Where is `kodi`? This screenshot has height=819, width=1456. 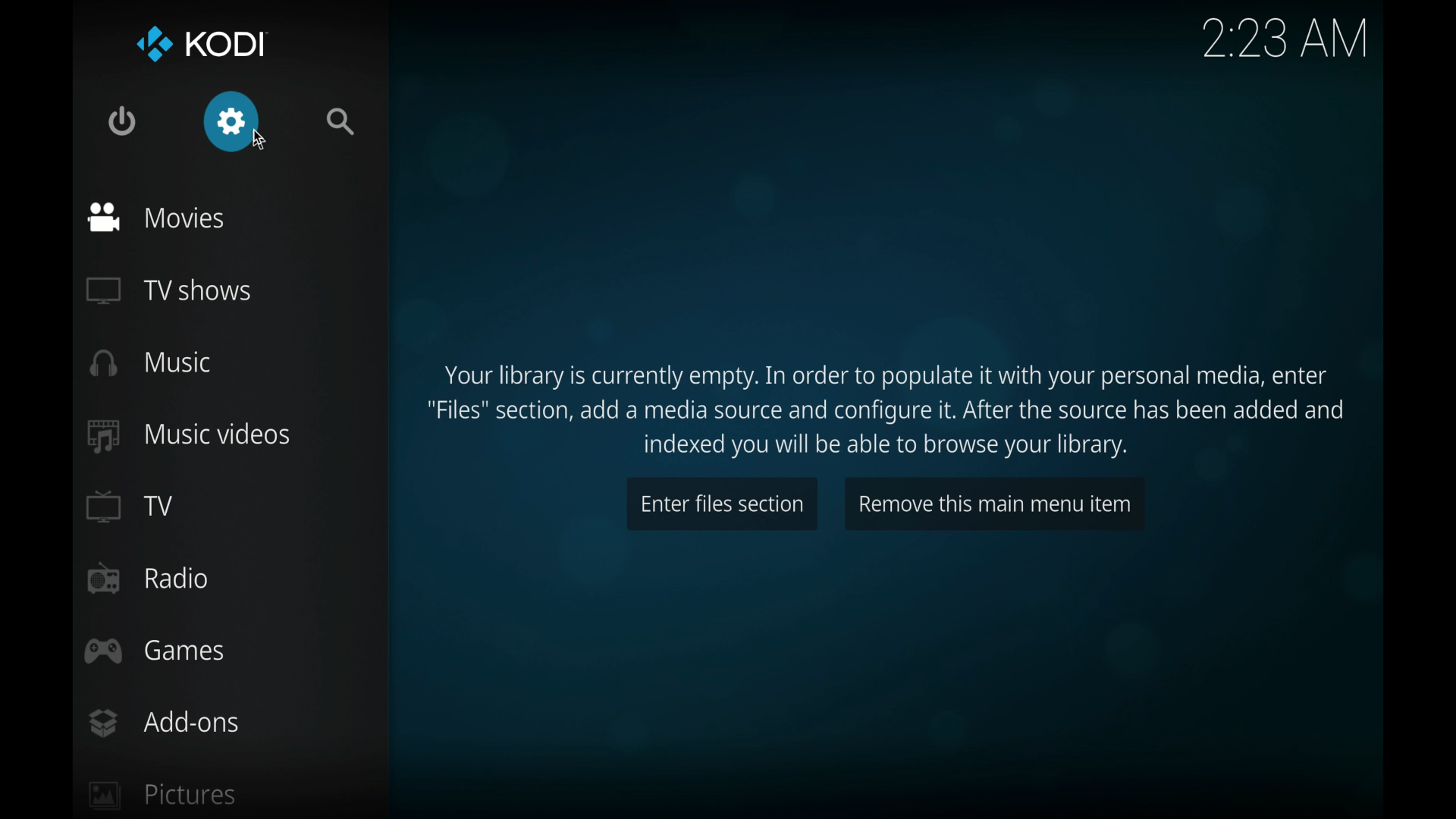 kodi is located at coordinates (231, 46).